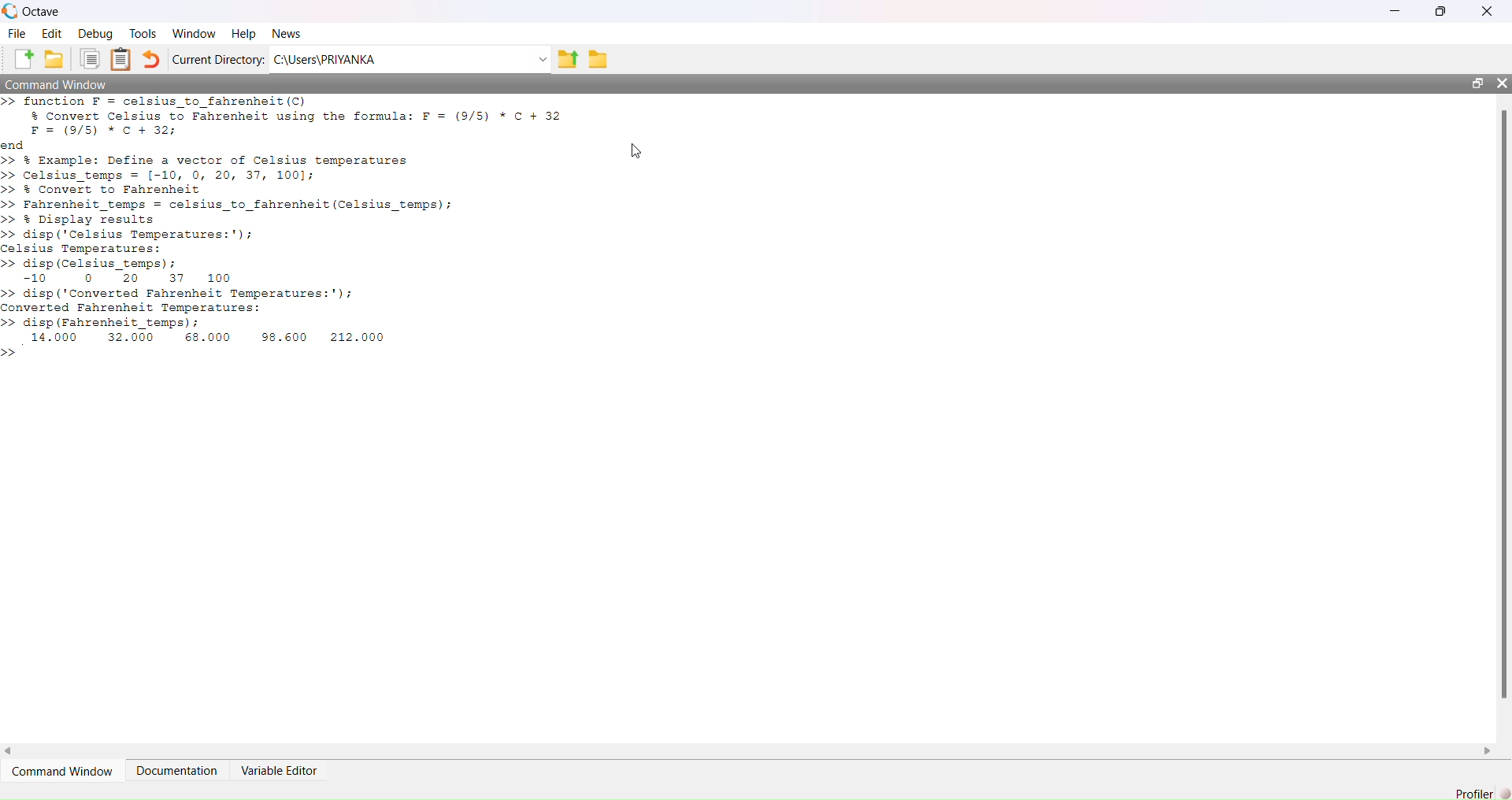 This screenshot has height=800, width=1512. Describe the element at coordinates (287, 33) in the screenshot. I see `News` at that location.